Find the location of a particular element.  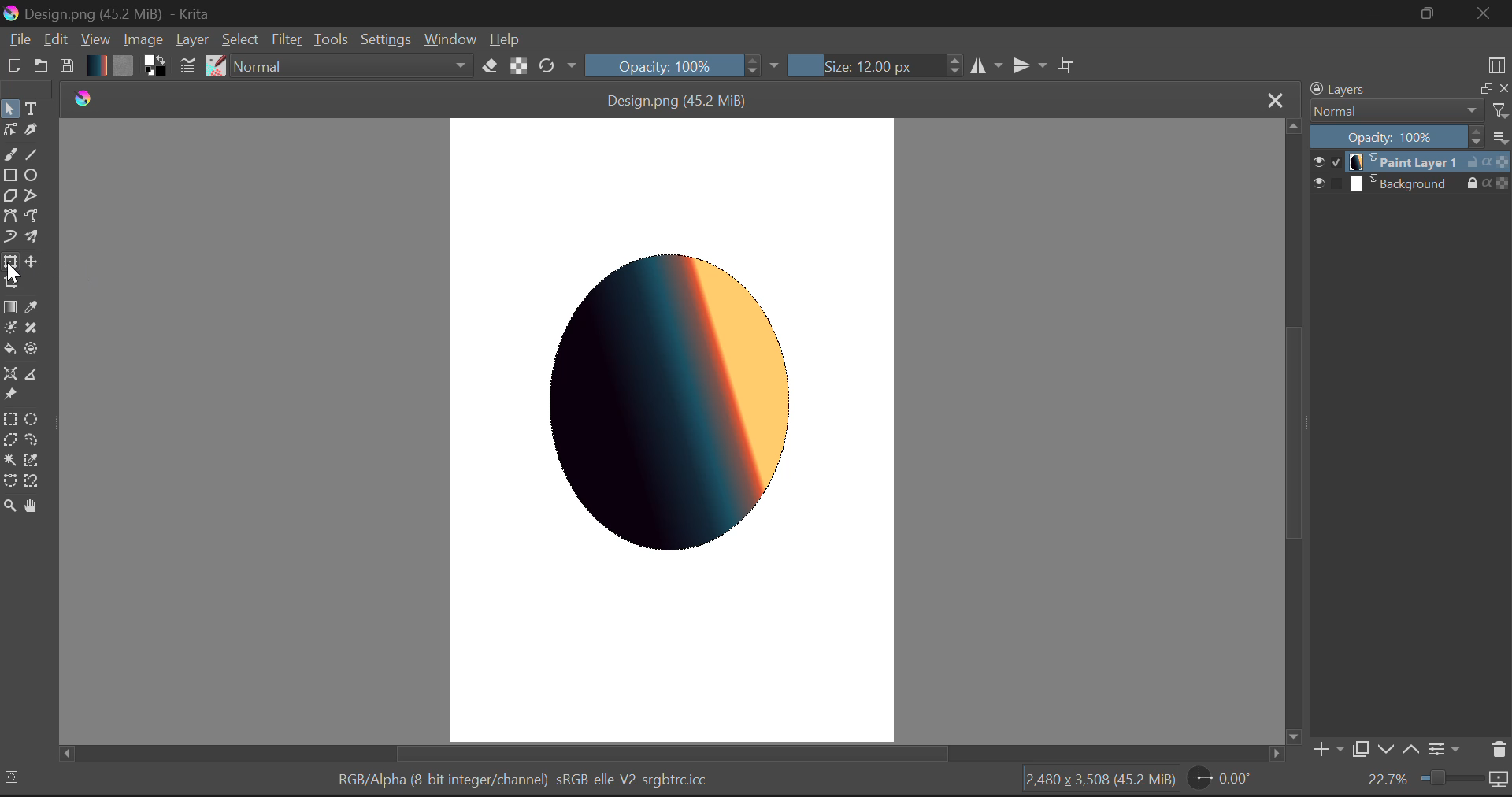

Tools is located at coordinates (331, 38).